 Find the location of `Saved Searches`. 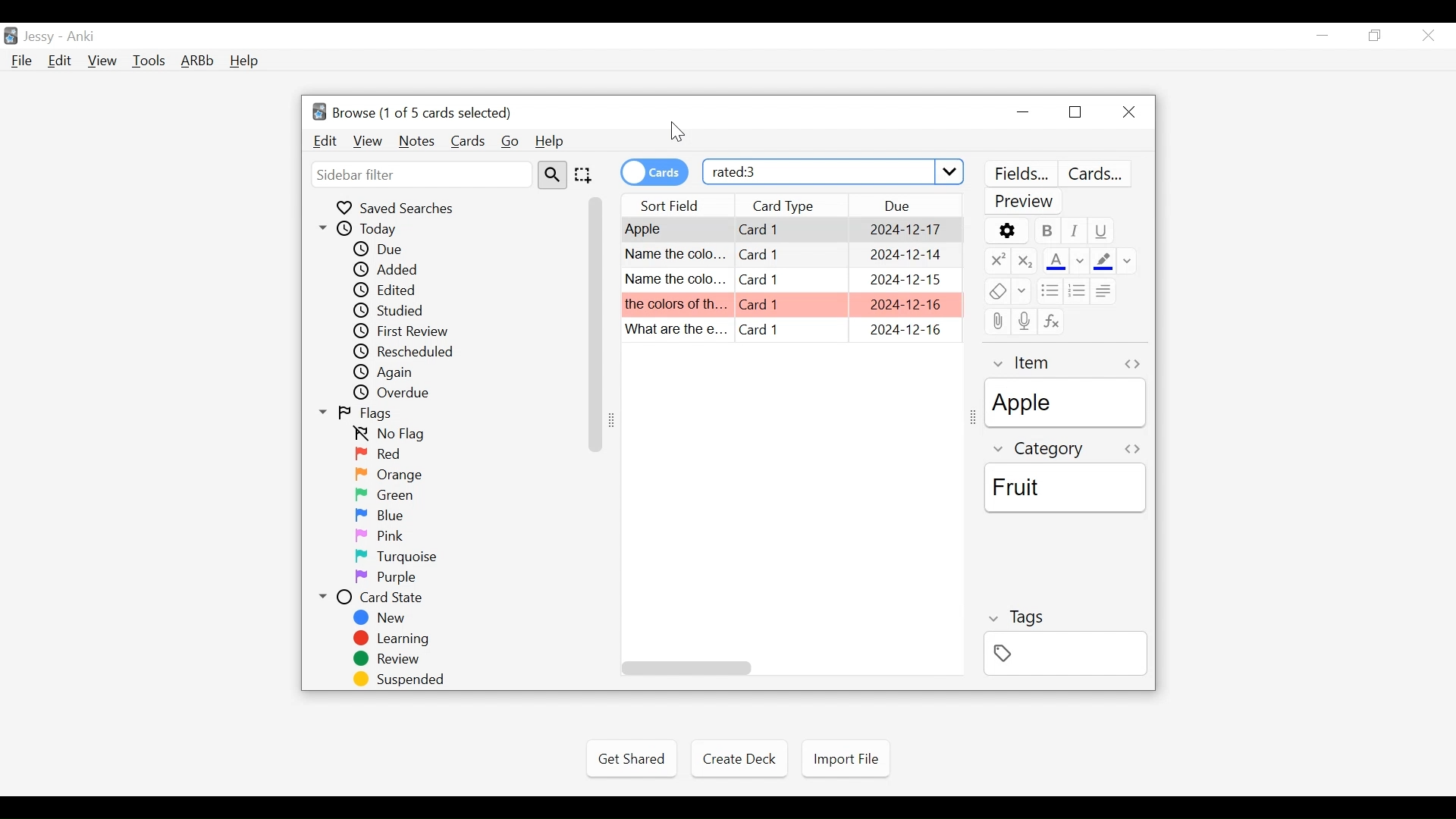

Saved Searches is located at coordinates (403, 207).